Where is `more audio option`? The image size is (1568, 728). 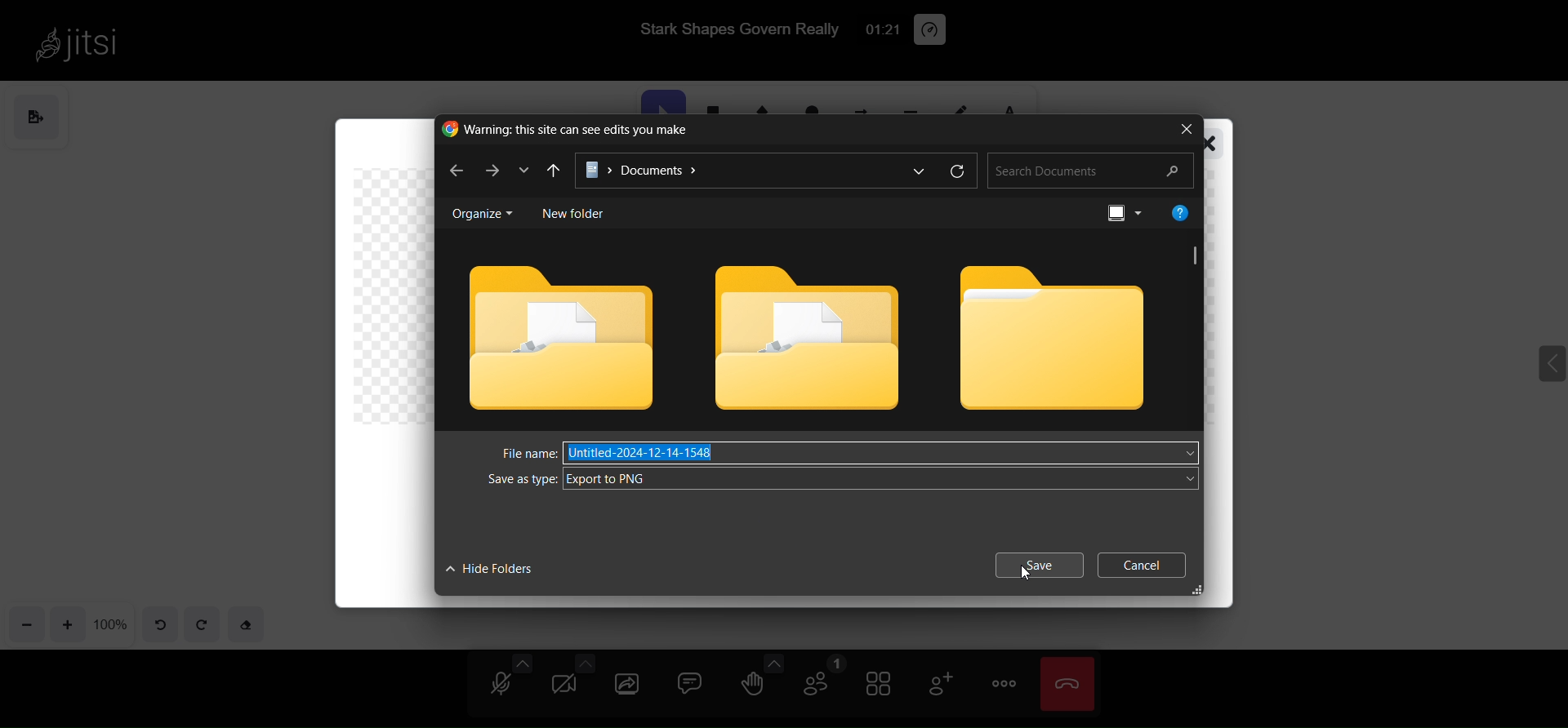
more audio option is located at coordinates (520, 663).